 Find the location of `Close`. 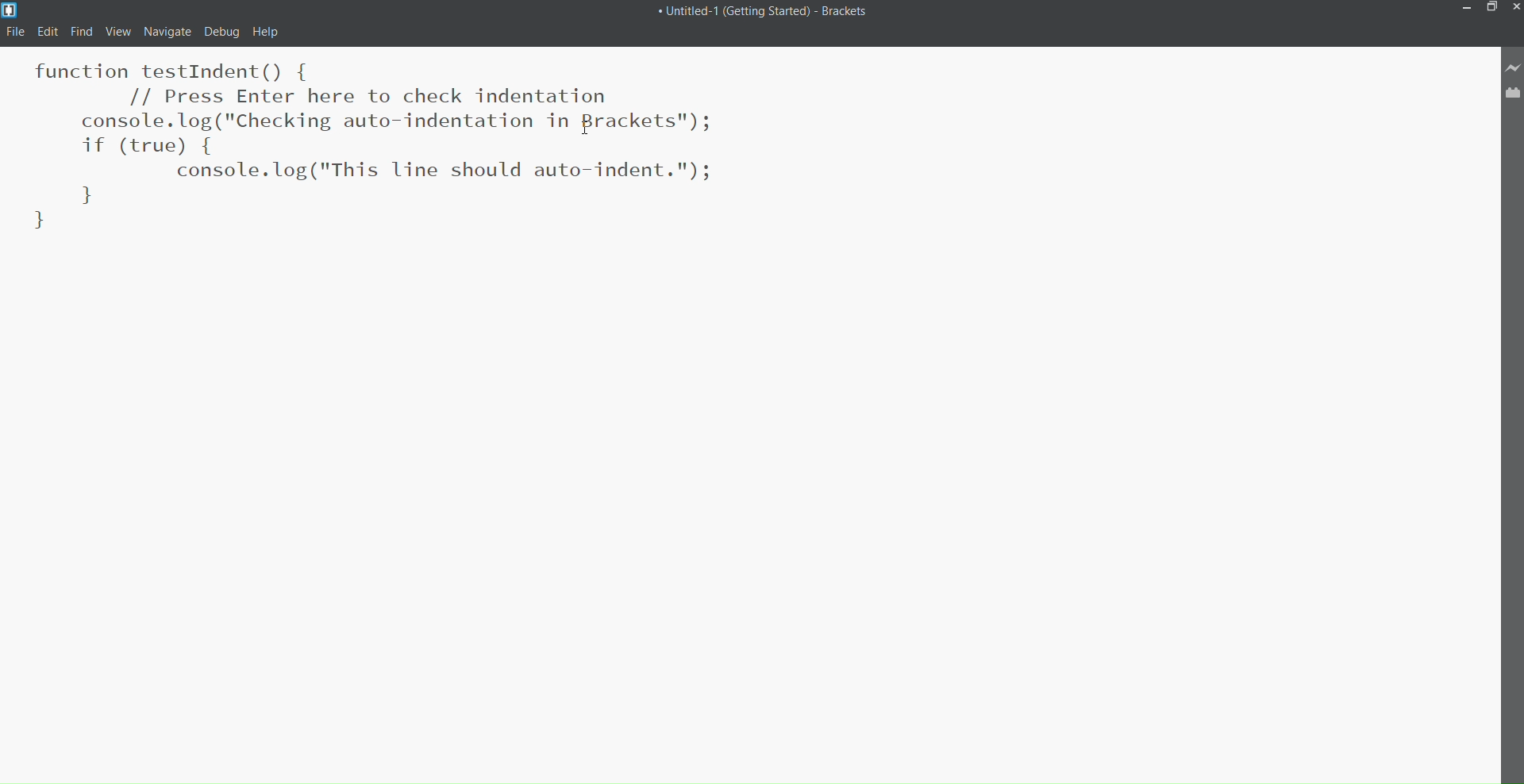

Close is located at coordinates (1518, 7).